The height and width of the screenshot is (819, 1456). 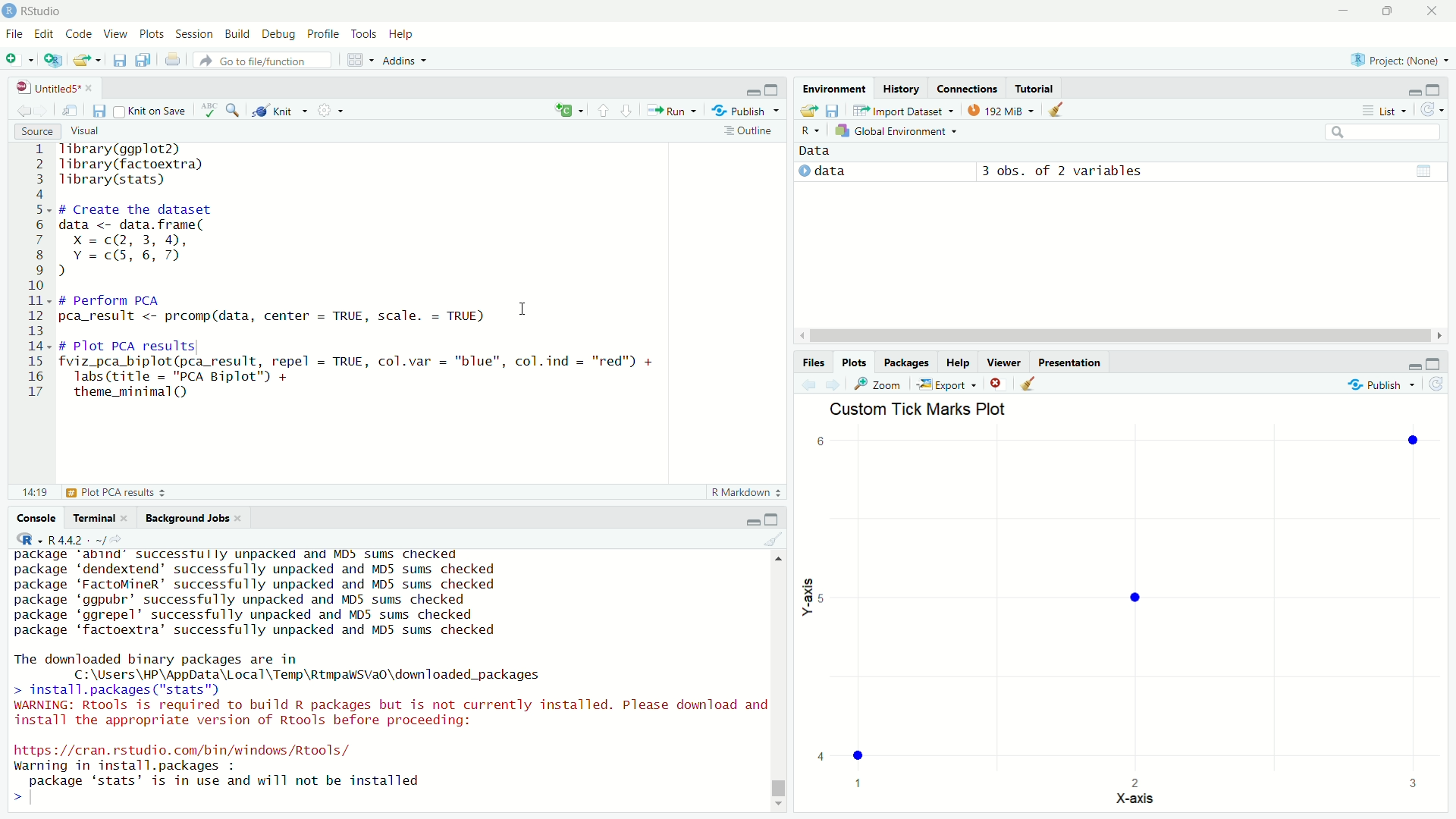 I want to click on Files, so click(x=814, y=362).